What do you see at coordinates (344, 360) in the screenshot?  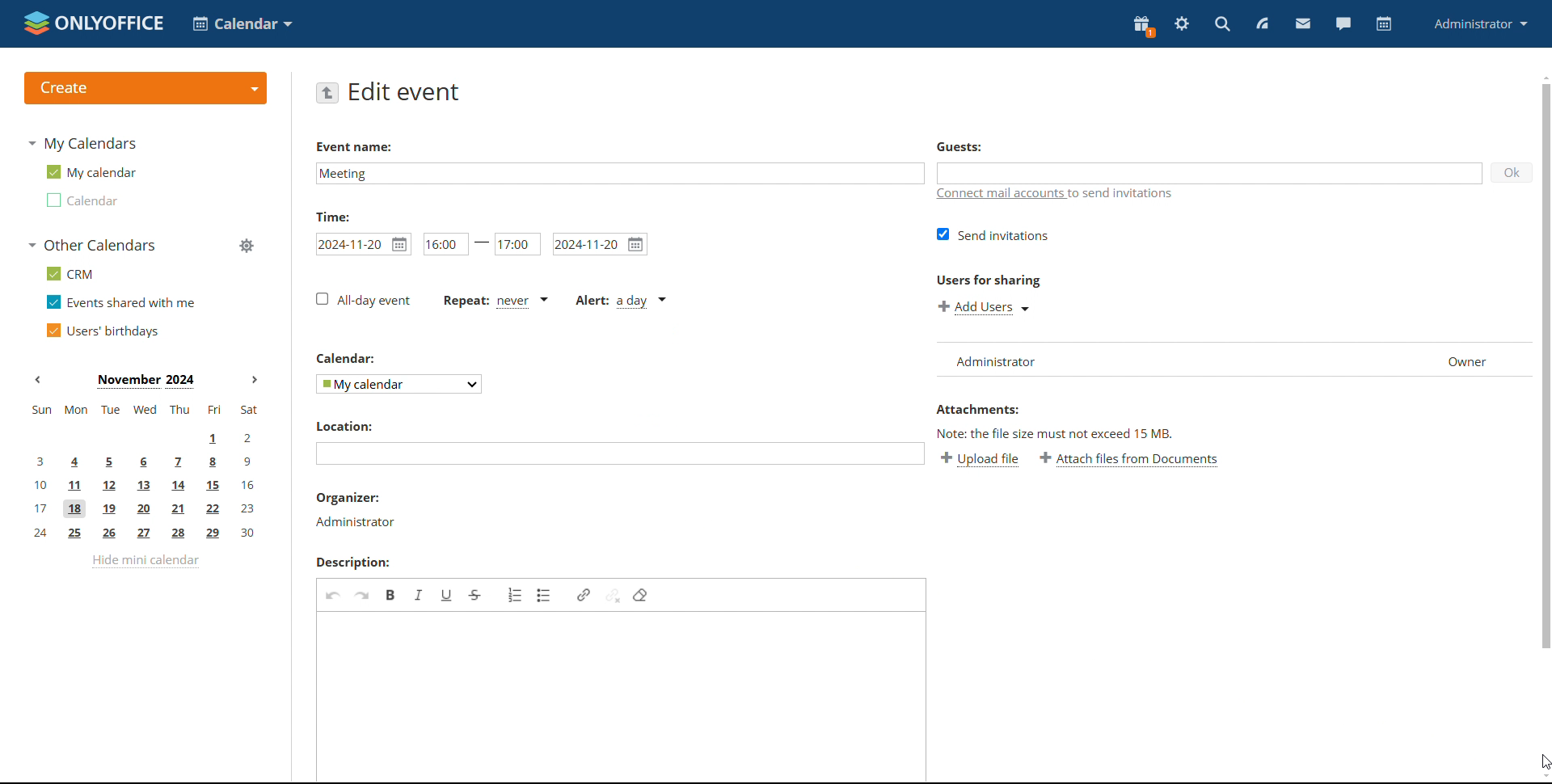 I see `Calendar` at bounding box center [344, 360].